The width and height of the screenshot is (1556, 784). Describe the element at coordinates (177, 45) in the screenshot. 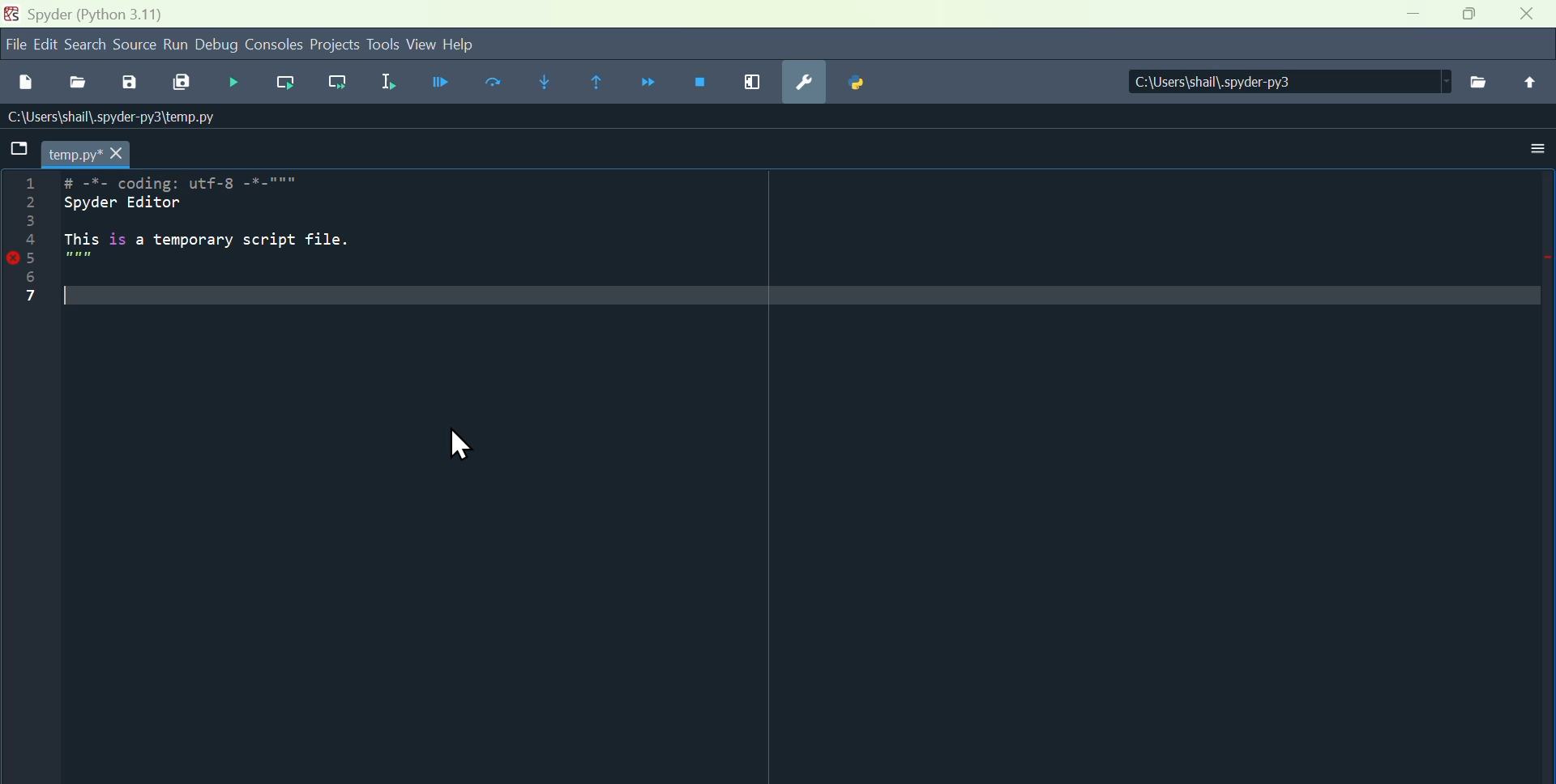

I see `Run` at that location.